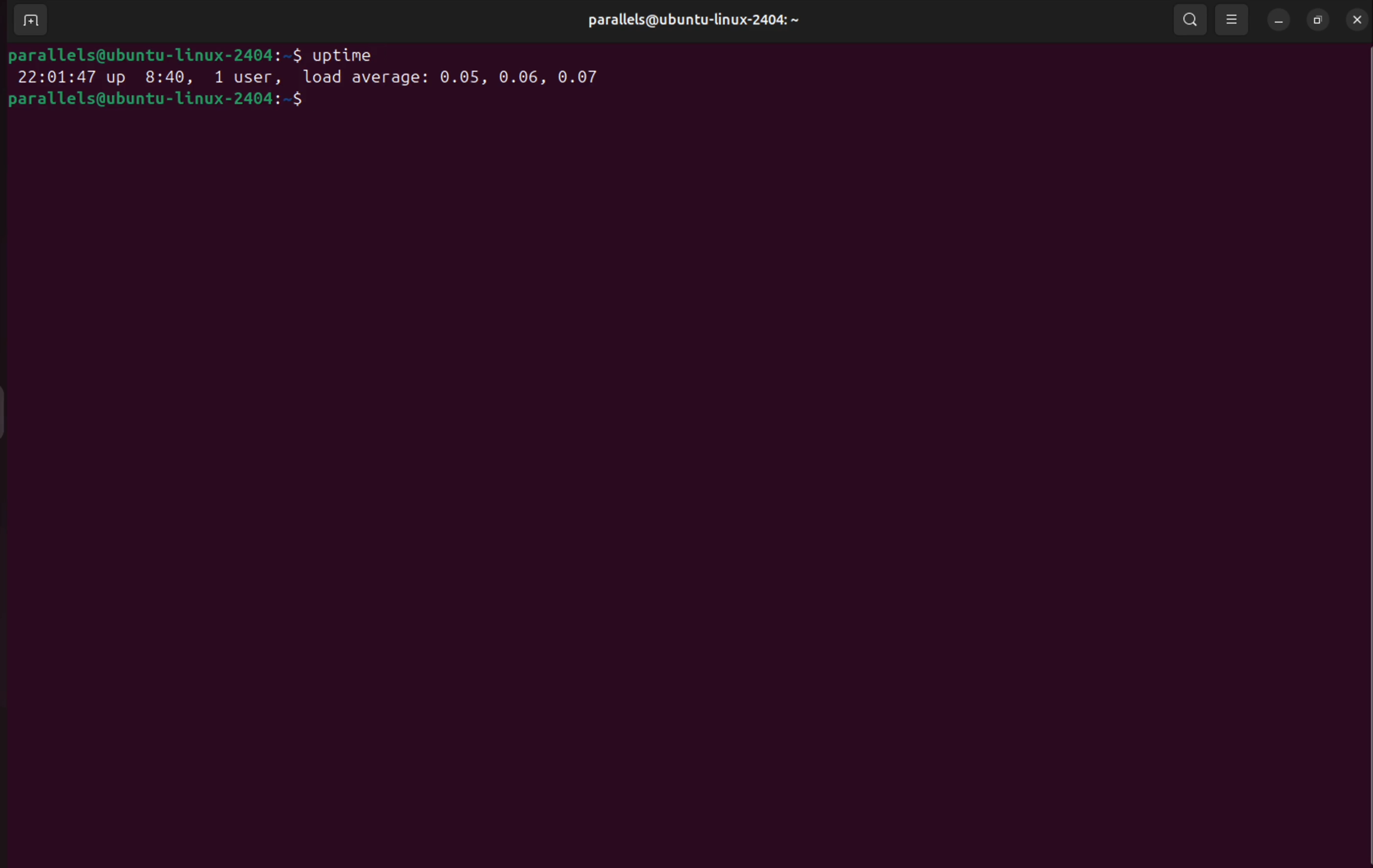  I want to click on close, so click(1358, 19).